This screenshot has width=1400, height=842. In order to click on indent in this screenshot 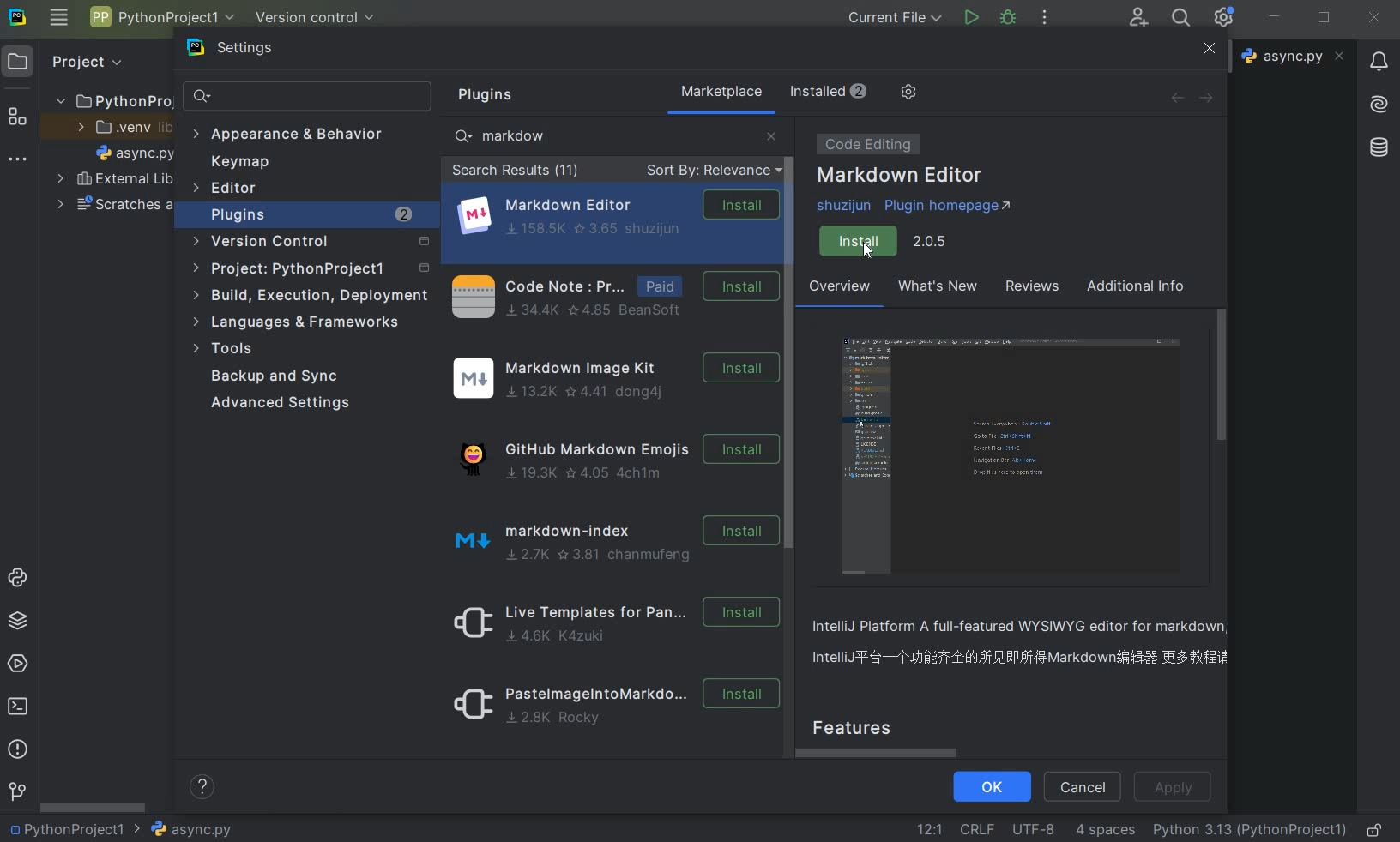, I will do `click(1107, 832)`.